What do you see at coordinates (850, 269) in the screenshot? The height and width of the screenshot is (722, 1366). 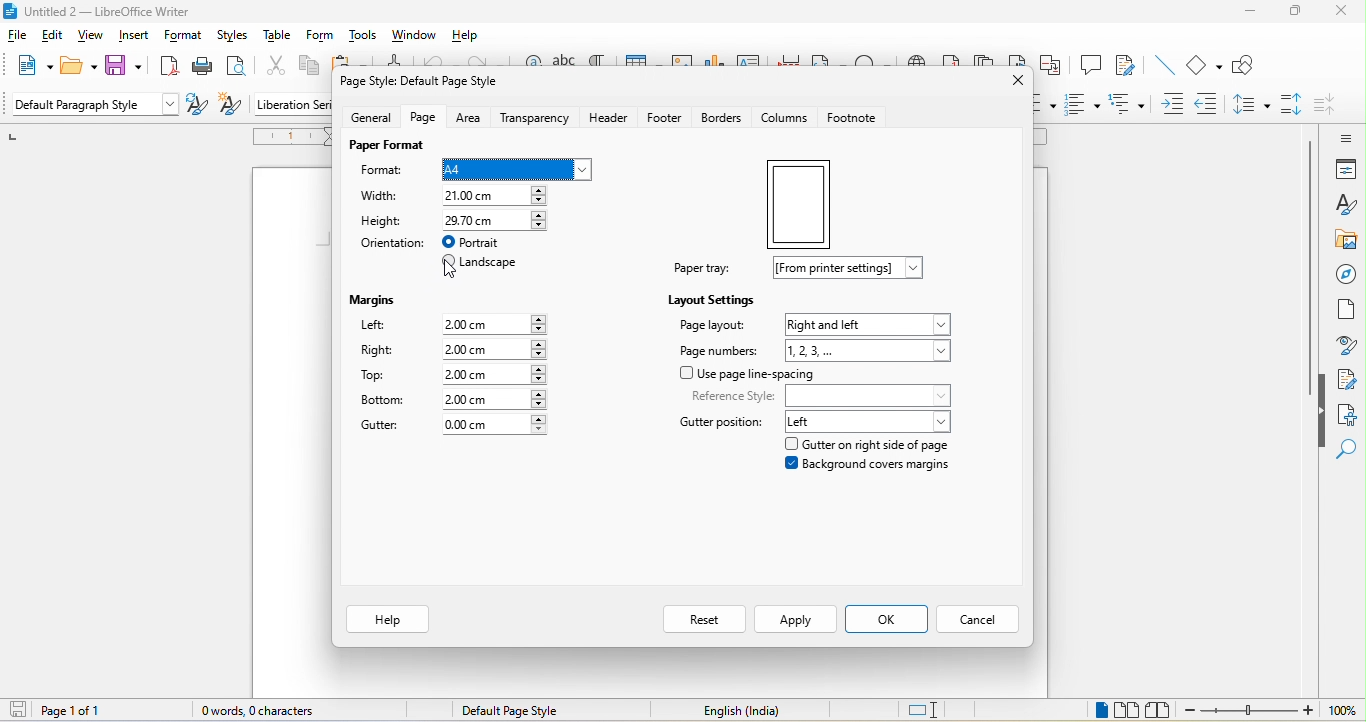 I see `from printer settings` at bounding box center [850, 269].